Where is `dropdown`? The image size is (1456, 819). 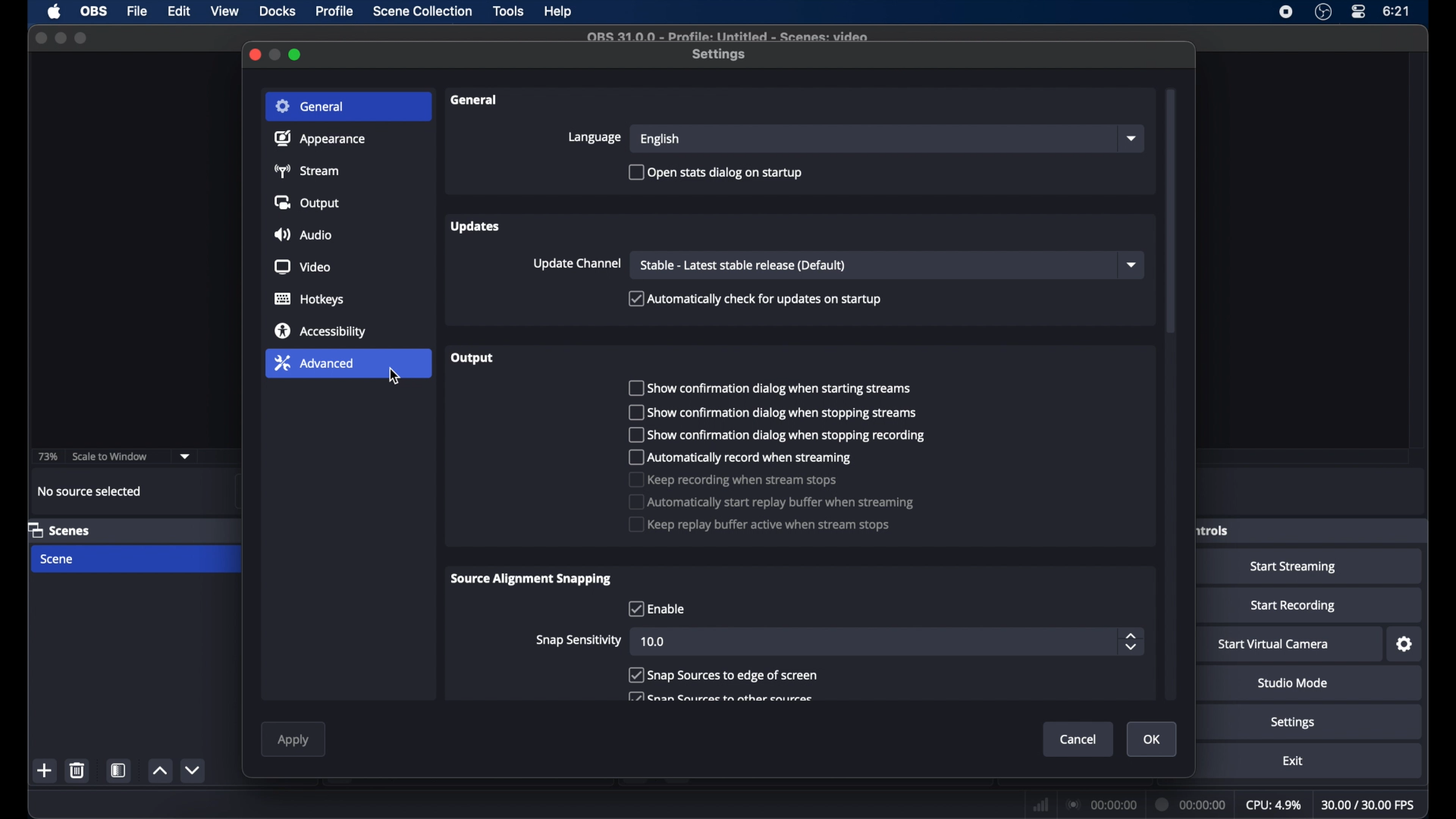 dropdown is located at coordinates (1132, 265).